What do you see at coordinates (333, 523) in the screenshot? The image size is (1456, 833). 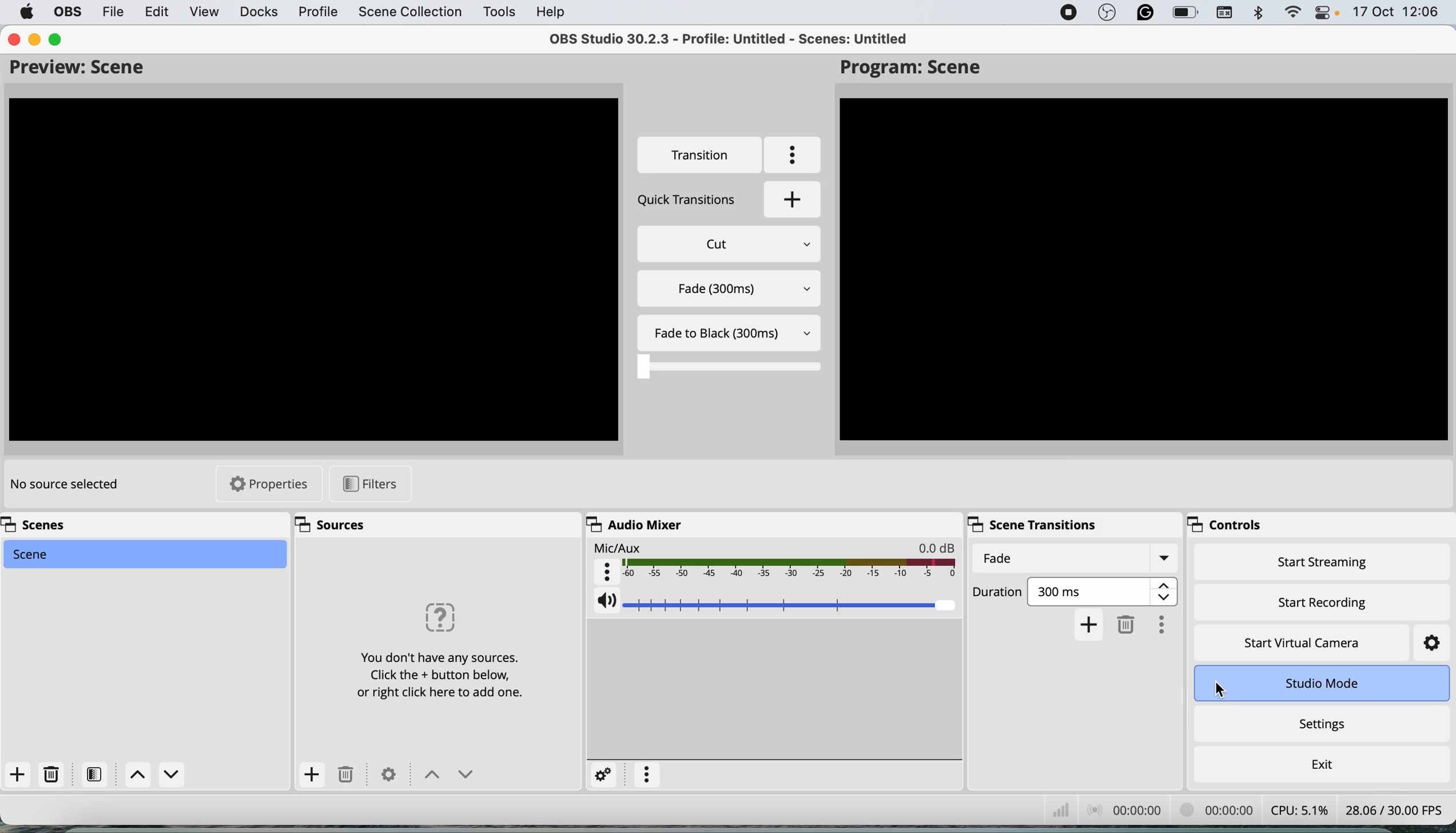 I see `sources` at bounding box center [333, 523].